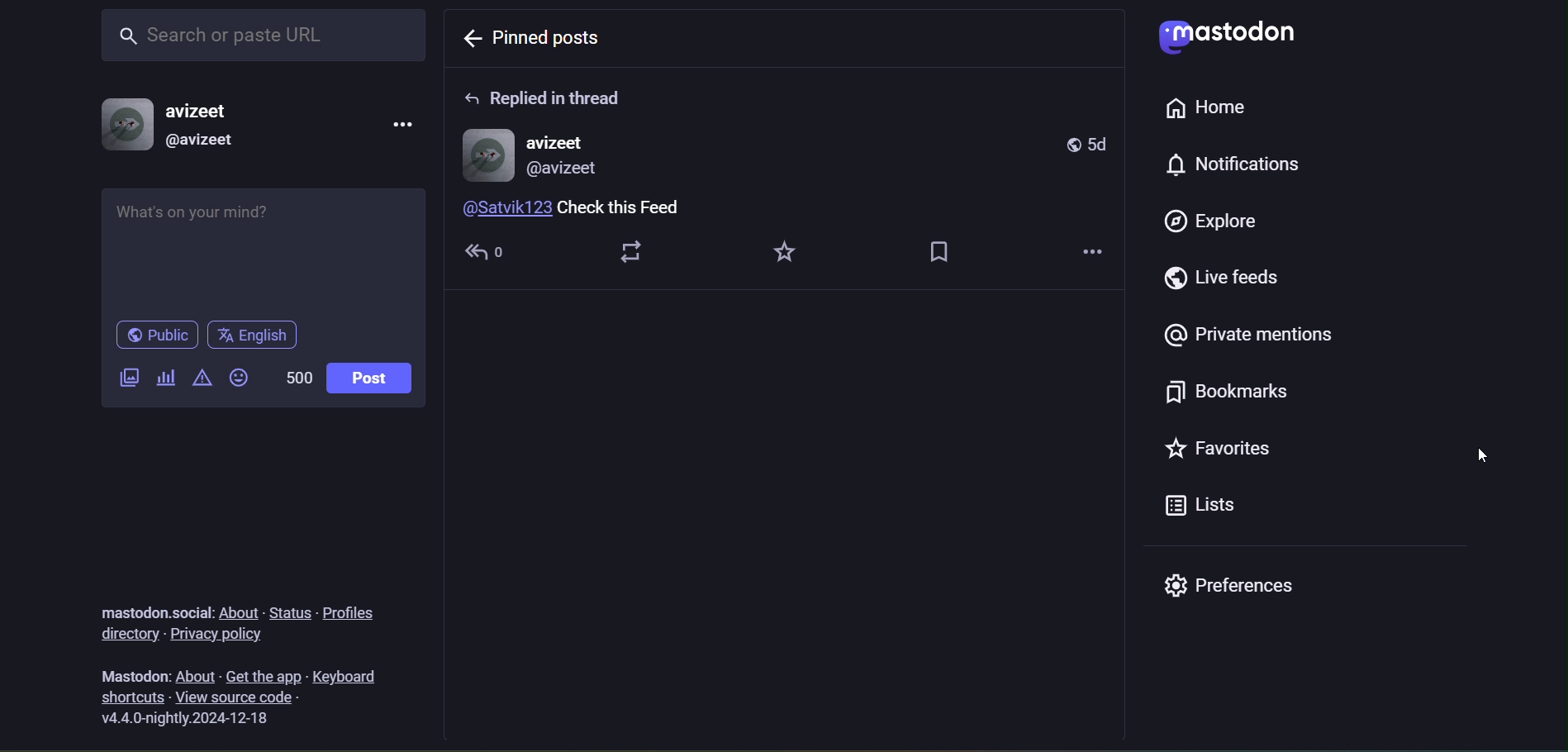  Describe the element at coordinates (1073, 145) in the screenshot. I see `global` at that location.